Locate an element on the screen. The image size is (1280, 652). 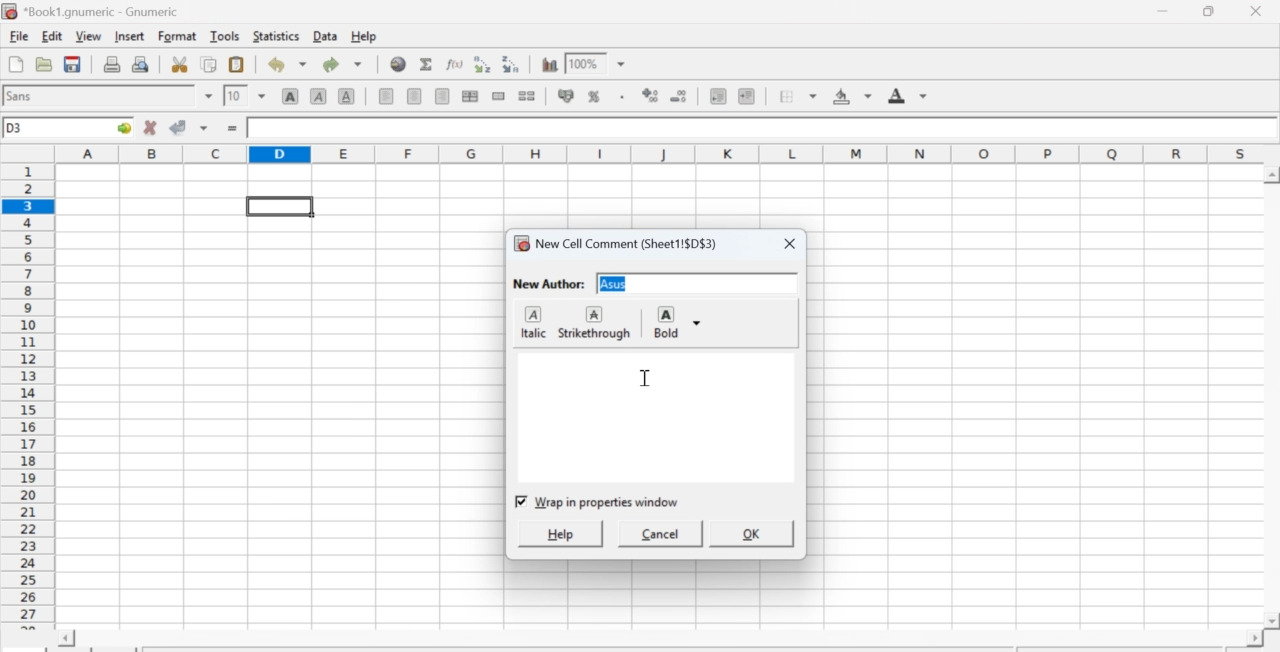
Format the selection as accounting is located at coordinates (566, 95).